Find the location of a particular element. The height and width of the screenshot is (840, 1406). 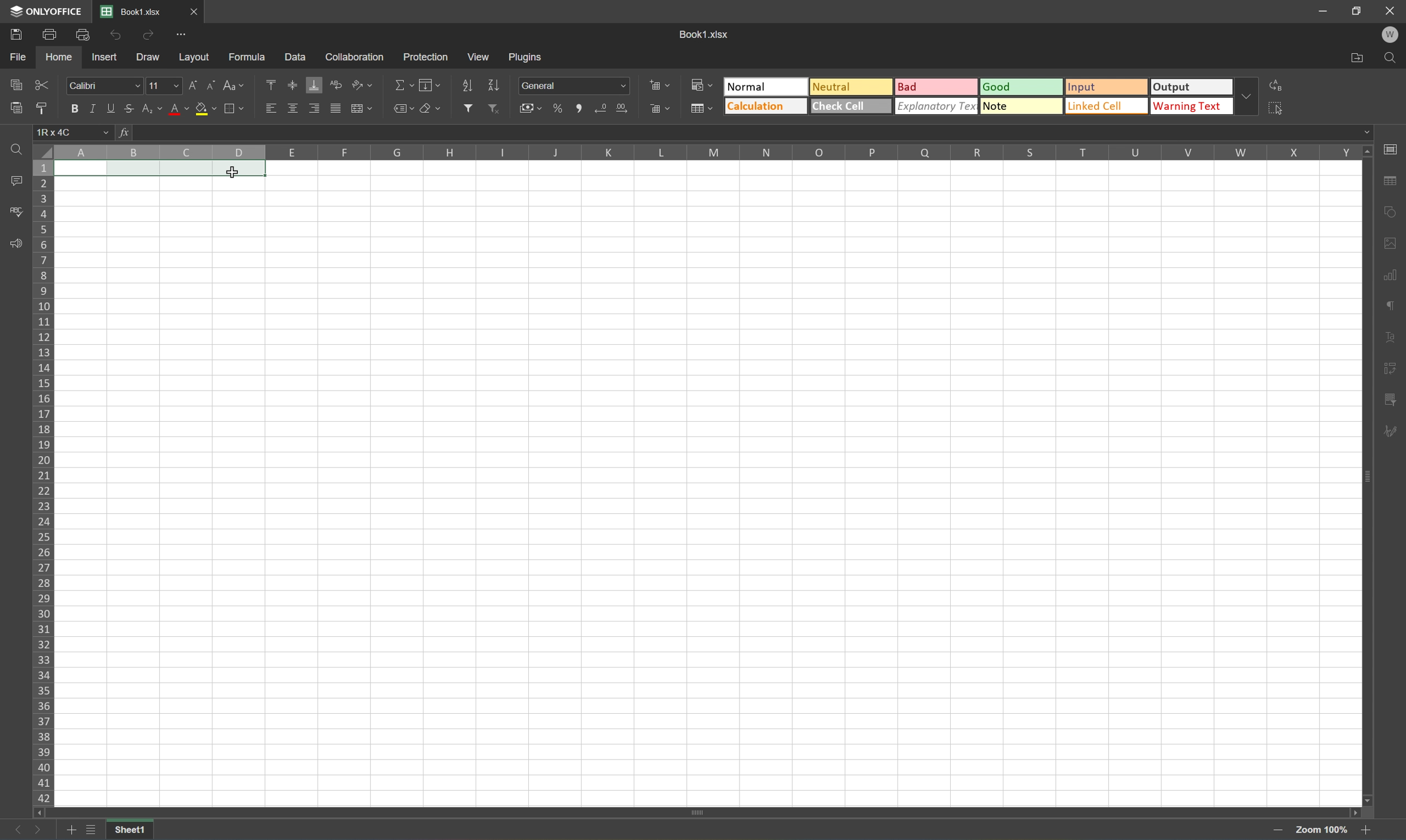

Book1.xlsx is located at coordinates (132, 12).